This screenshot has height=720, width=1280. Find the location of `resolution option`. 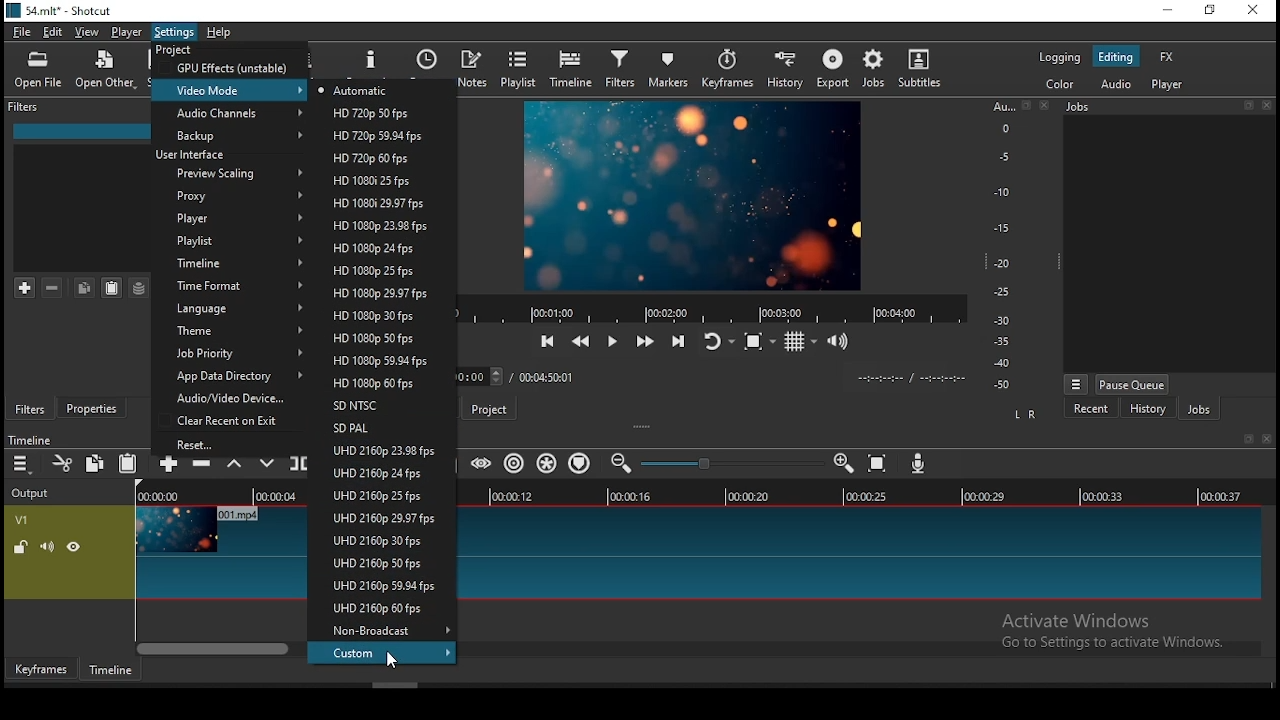

resolution option is located at coordinates (379, 495).